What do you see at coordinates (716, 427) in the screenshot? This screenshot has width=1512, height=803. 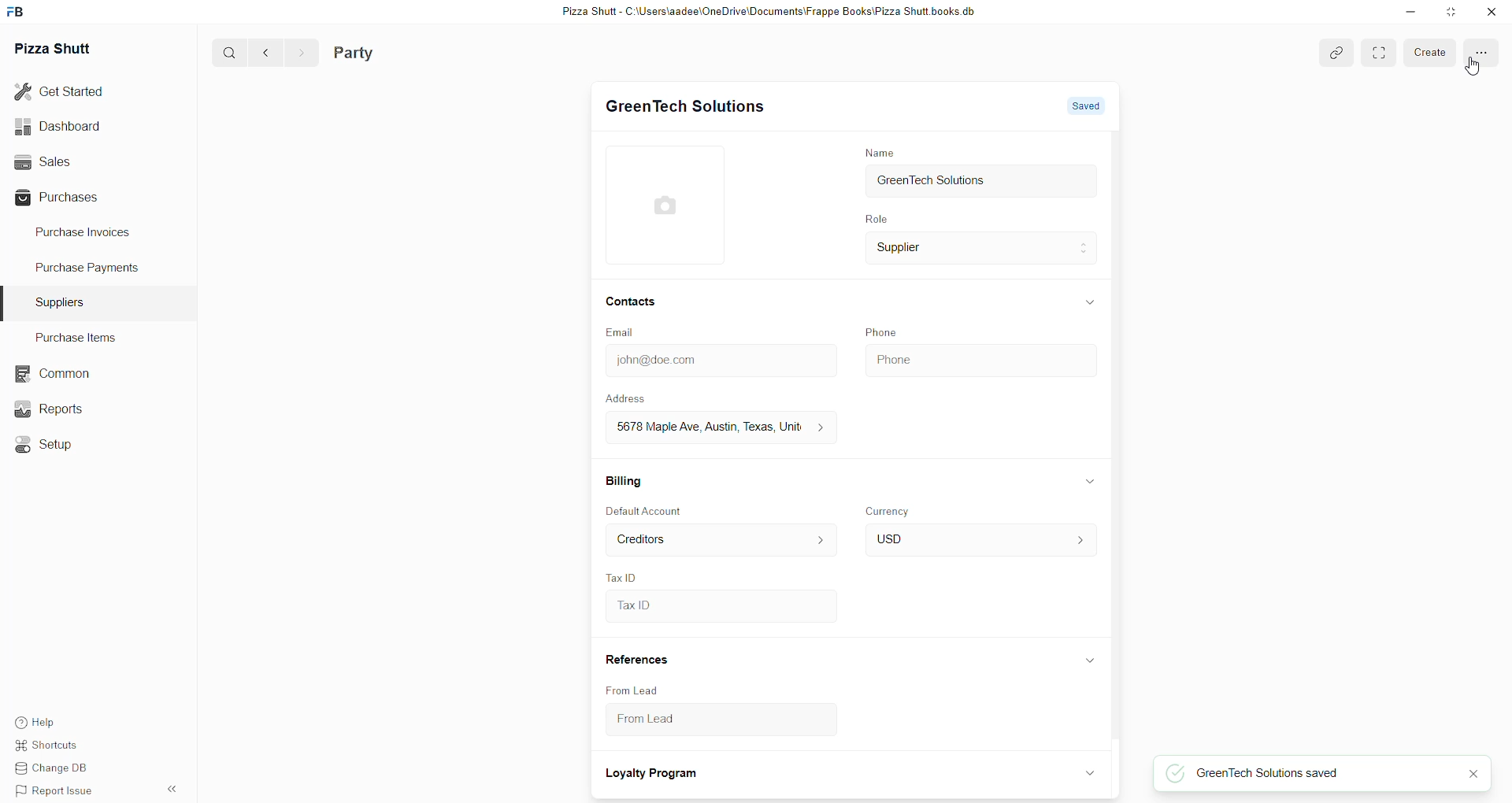 I see `B, C,fEngland, Denmark, 411006` at bounding box center [716, 427].